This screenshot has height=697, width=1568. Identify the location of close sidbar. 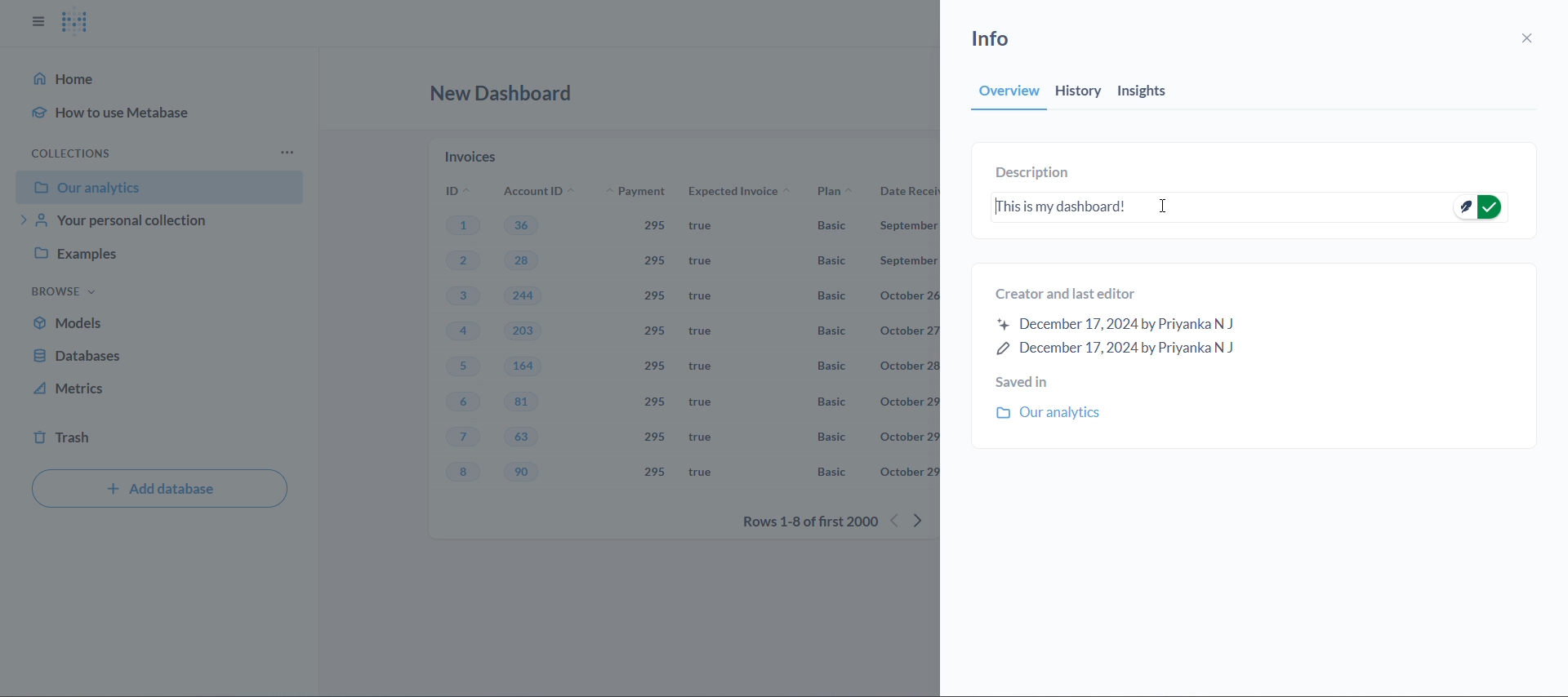
(36, 22).